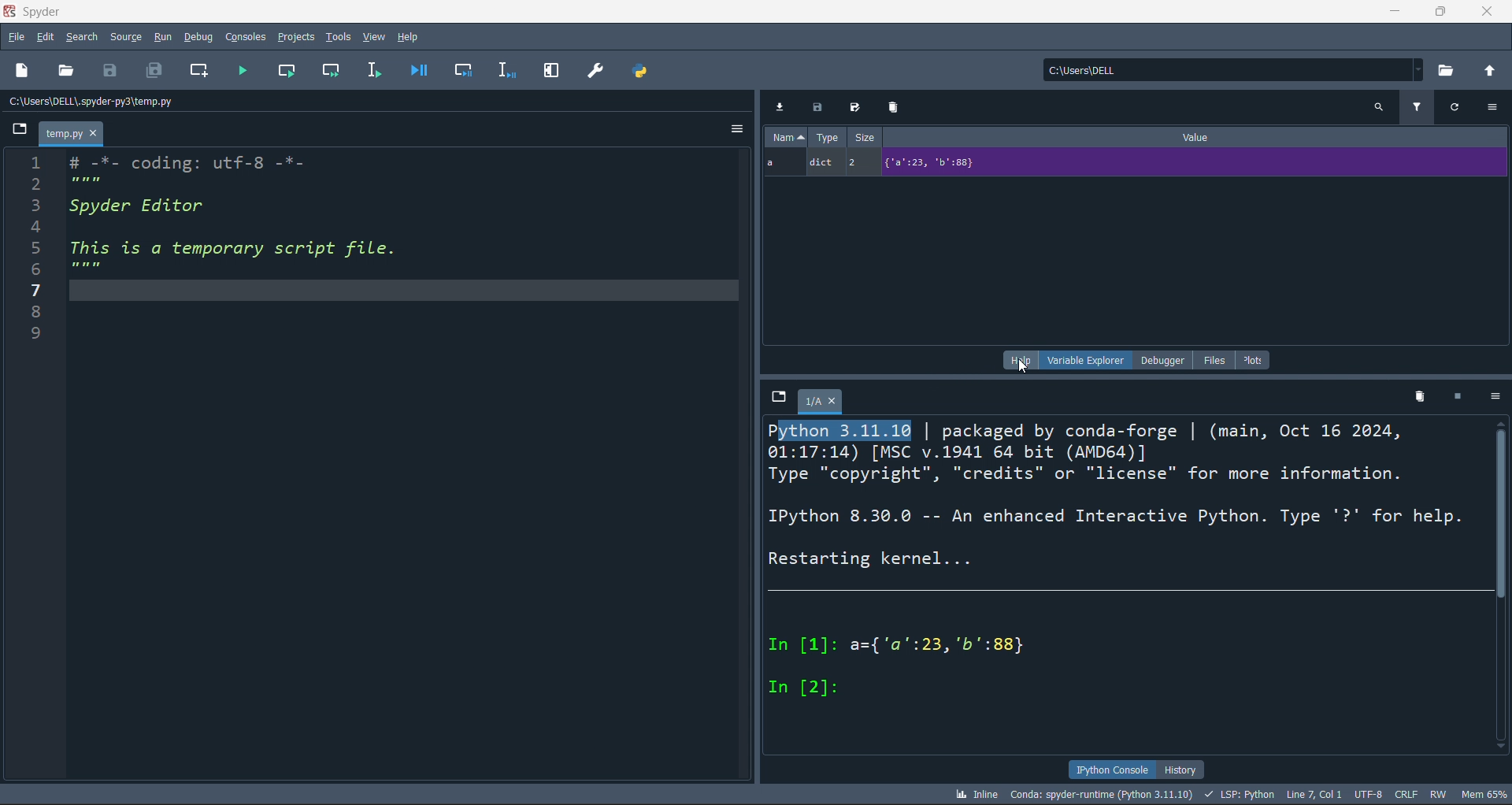  I want to click on plots, so click(1254, 359).